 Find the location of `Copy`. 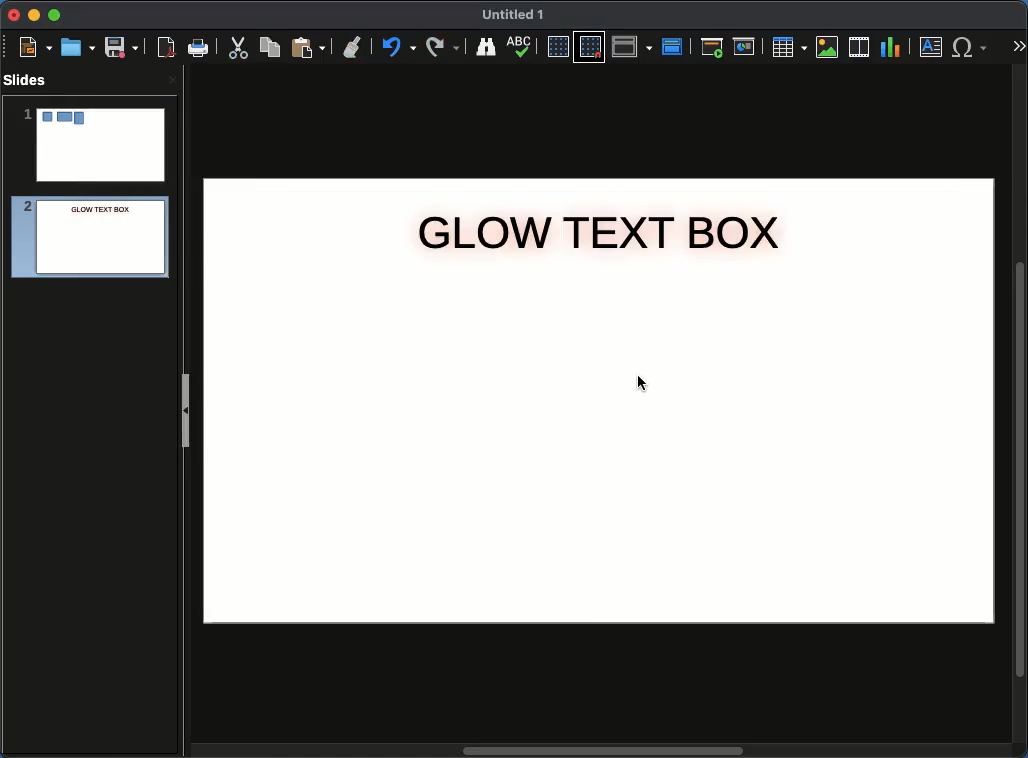

Copy is located at coordinates (270, 46).